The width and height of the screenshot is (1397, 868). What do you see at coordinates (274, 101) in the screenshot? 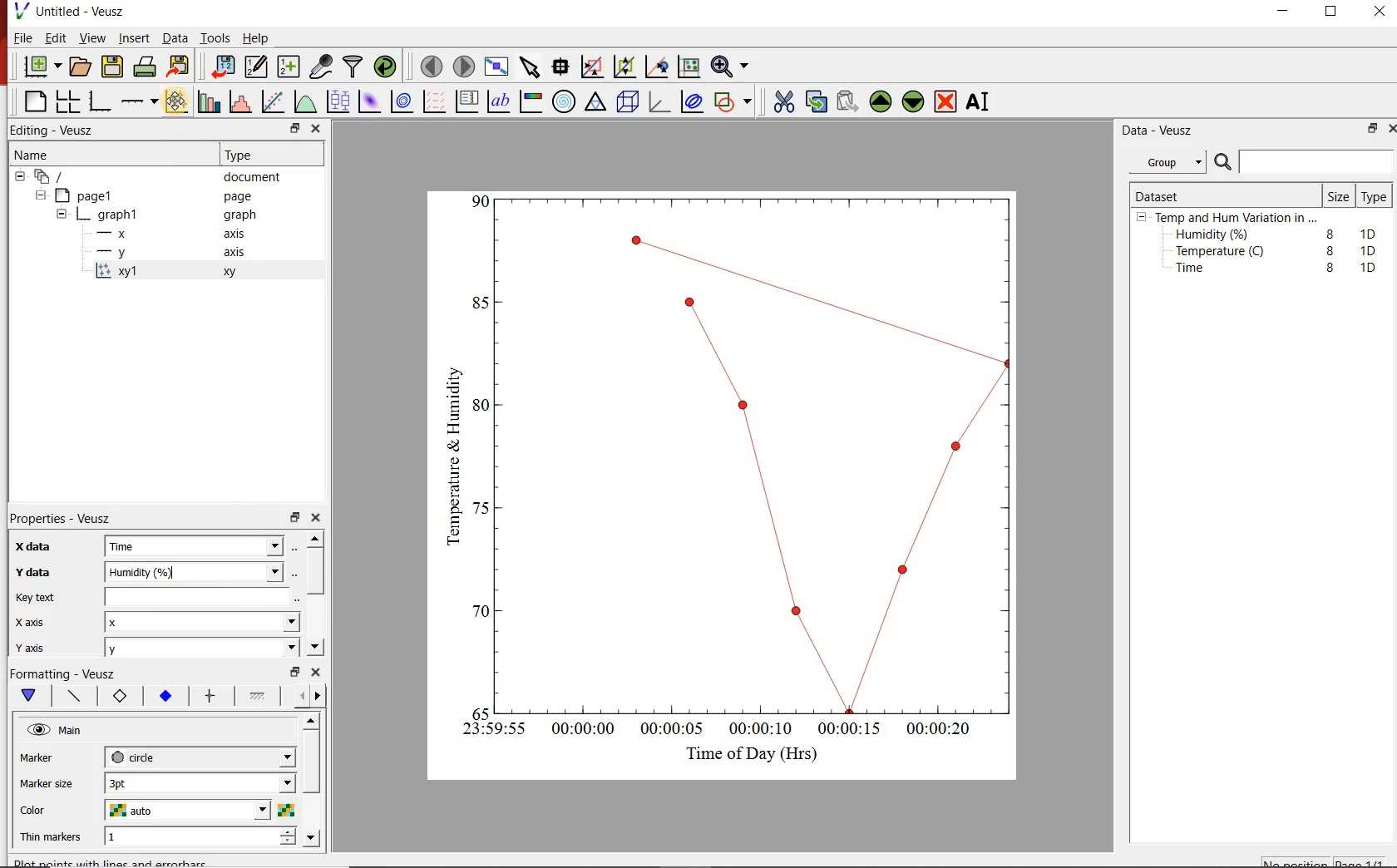
I see `Fit a function to data` at bounding box center [274, 101].